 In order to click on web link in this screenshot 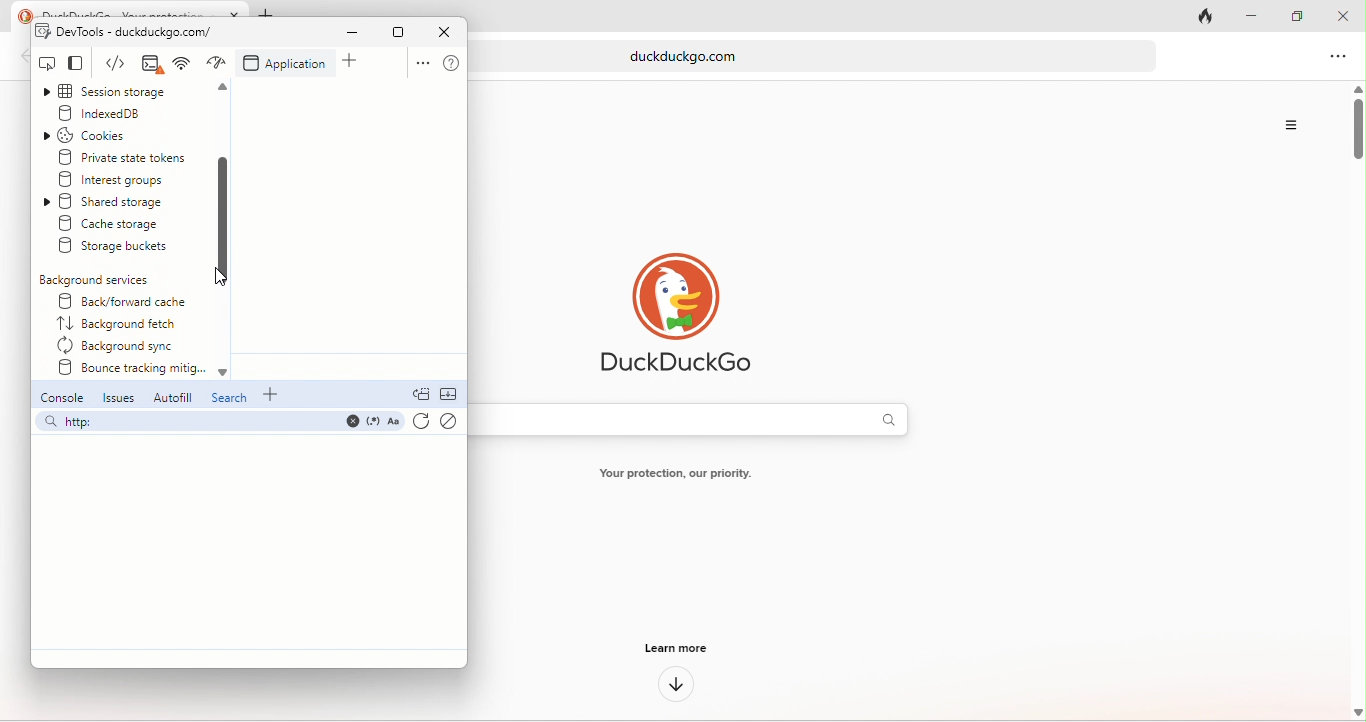, I will do `click(822, 55)`.